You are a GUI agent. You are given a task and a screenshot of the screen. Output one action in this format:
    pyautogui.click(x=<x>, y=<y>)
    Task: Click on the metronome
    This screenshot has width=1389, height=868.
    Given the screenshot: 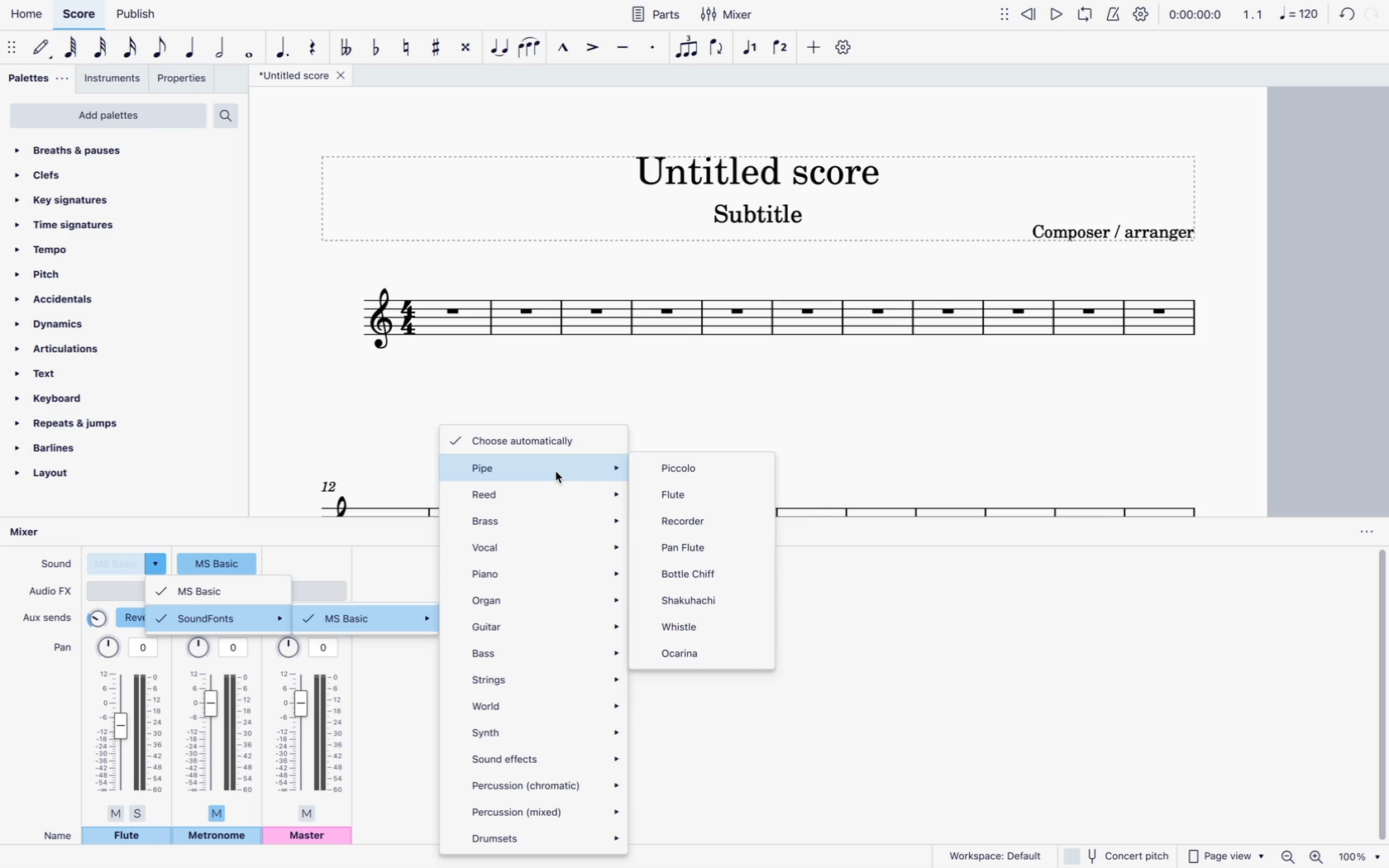 What is the action you would take?
    pyautogui.click(x=217, y=837)
    